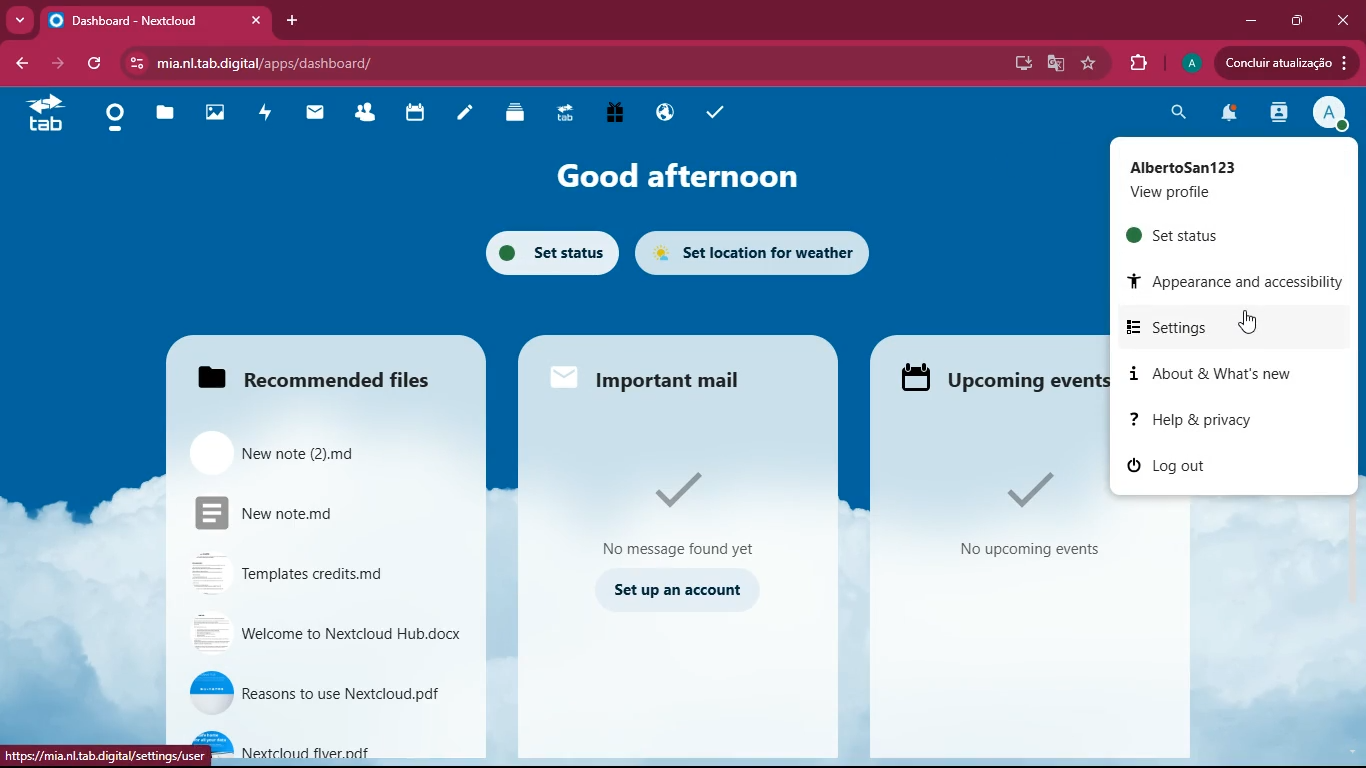 This screenshot has height=768, width=1366. Describe the element at coordinates (1329, 116) in the screenshot. I see `profile` at that location.